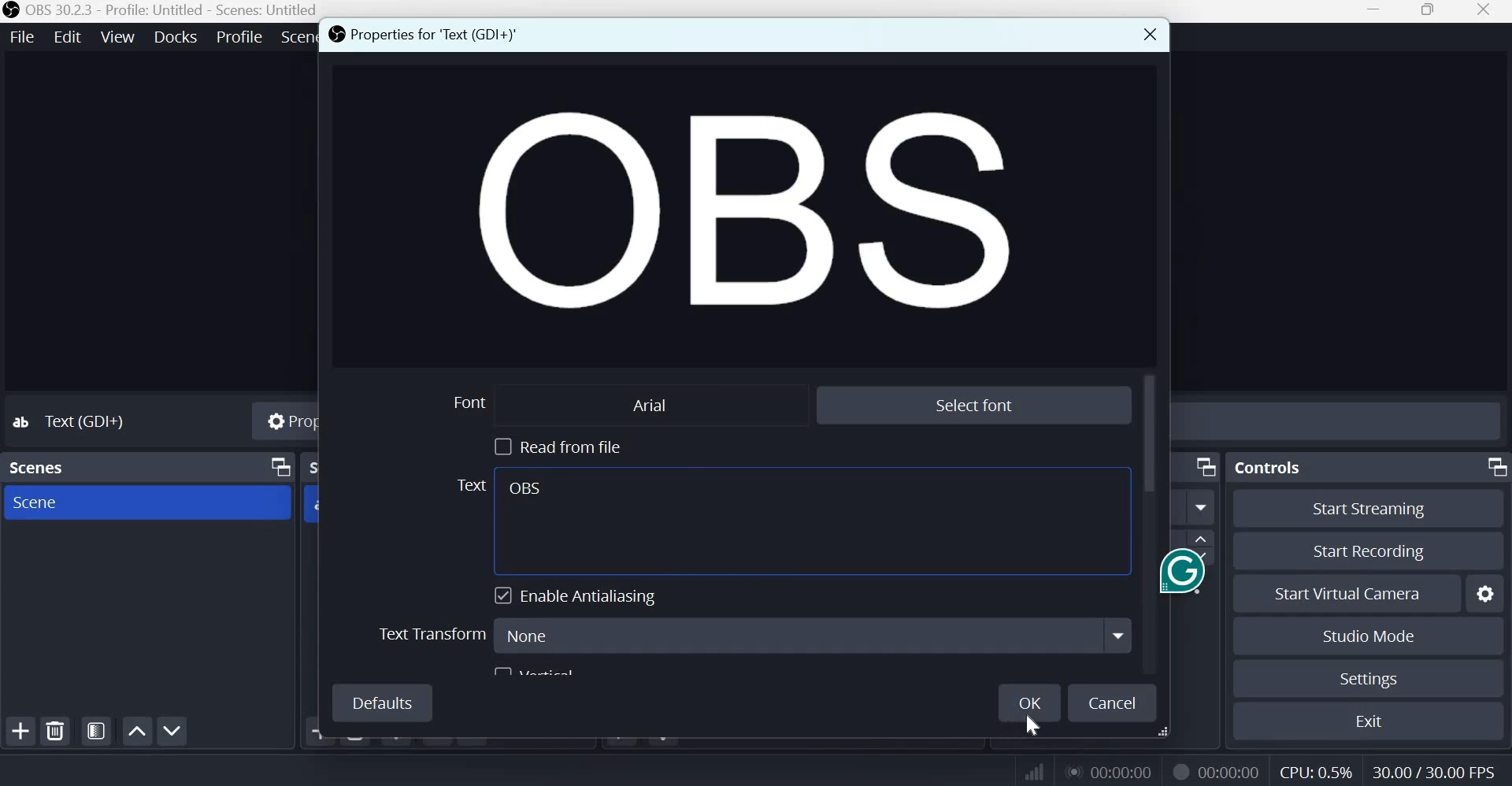 Image resolution: width=1512 pixels, height=786 pixels. I want to click on Grammarly, so click(1160, 572).